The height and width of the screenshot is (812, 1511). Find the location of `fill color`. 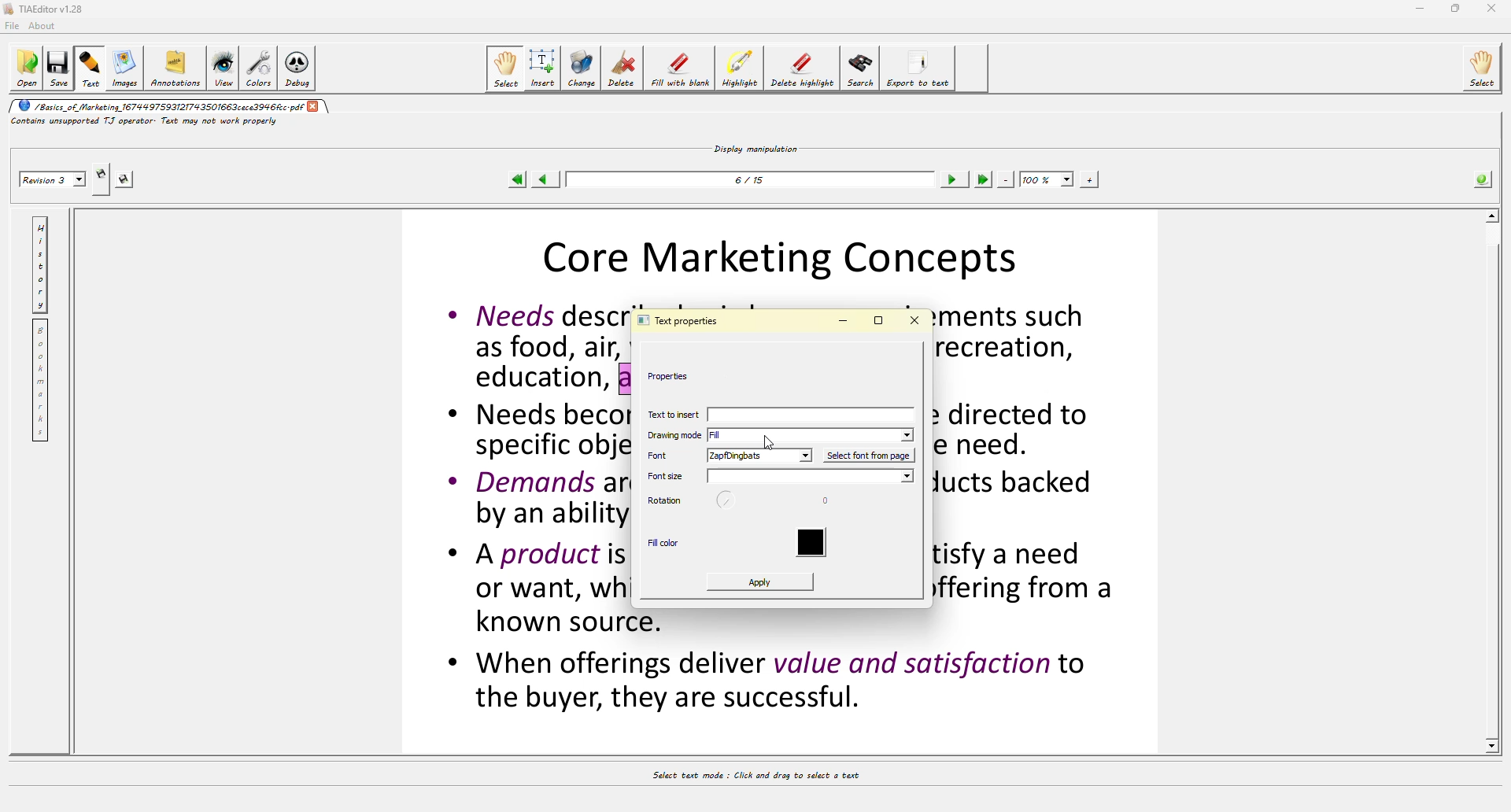

fill color is located at coordinates (666, 542).